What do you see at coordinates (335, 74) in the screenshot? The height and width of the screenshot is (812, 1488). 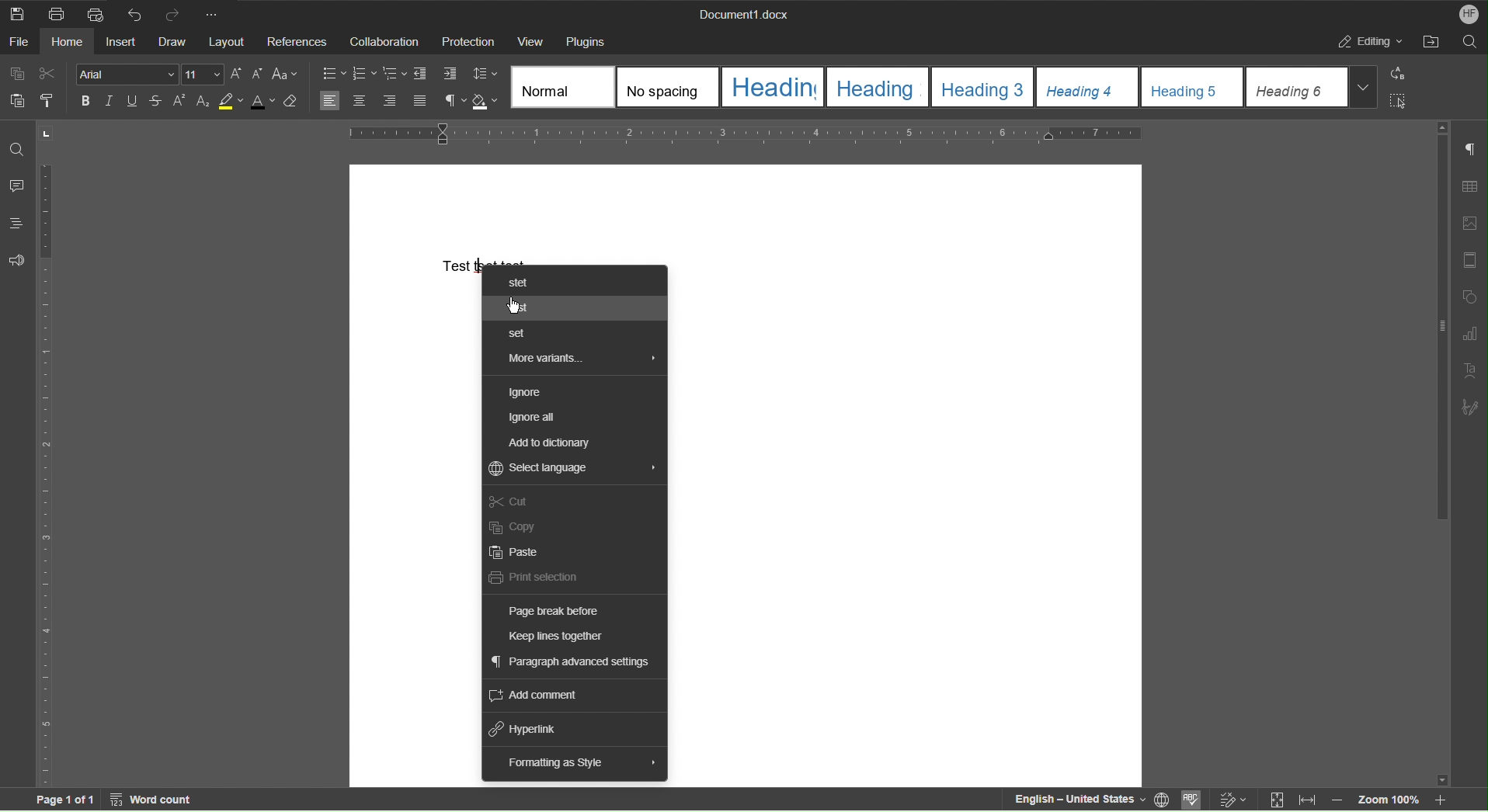 I see `Bullet List` at bounding box center [335, 74].